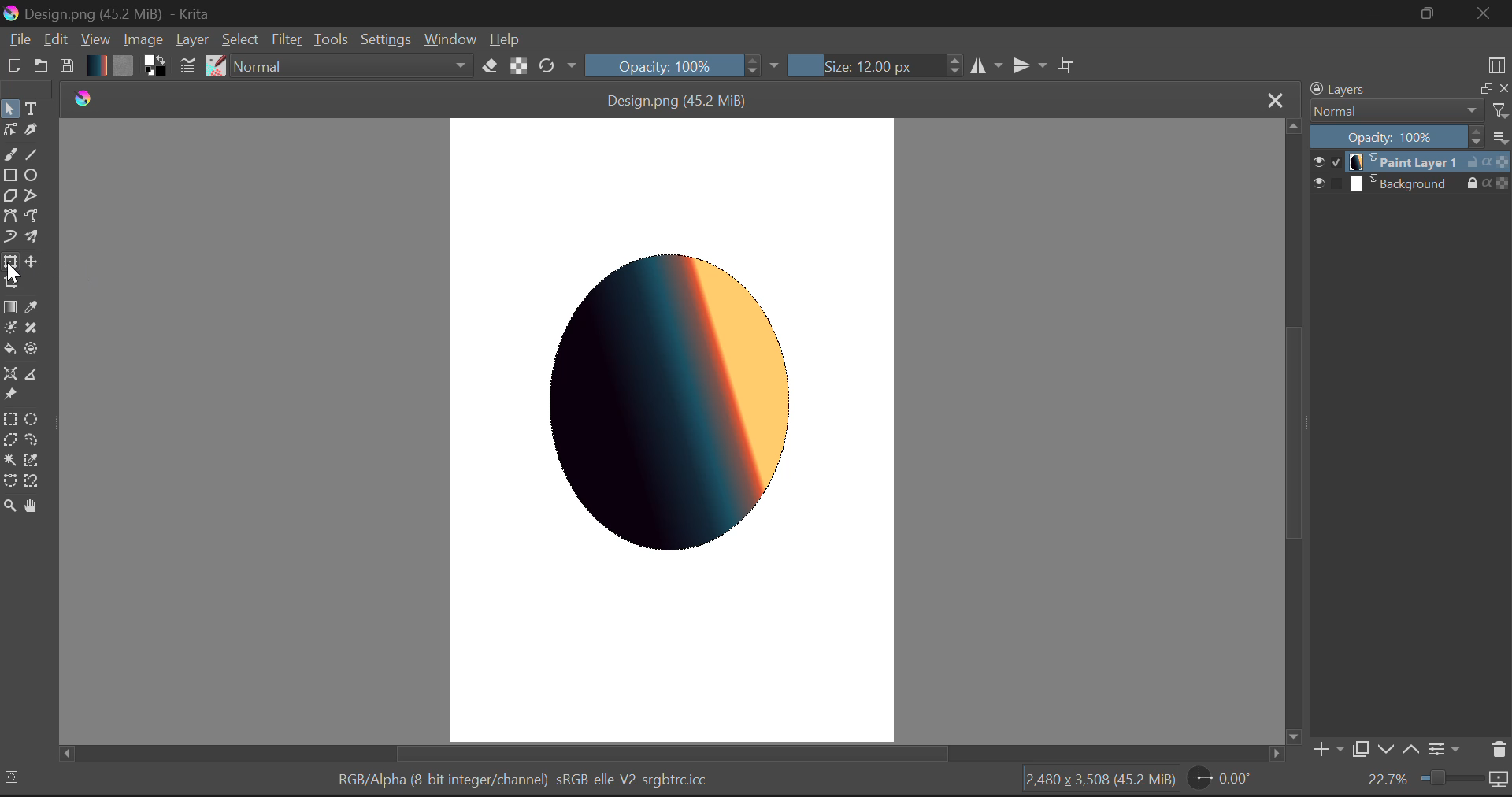  I want to click on Measurement, so click(32, 376).